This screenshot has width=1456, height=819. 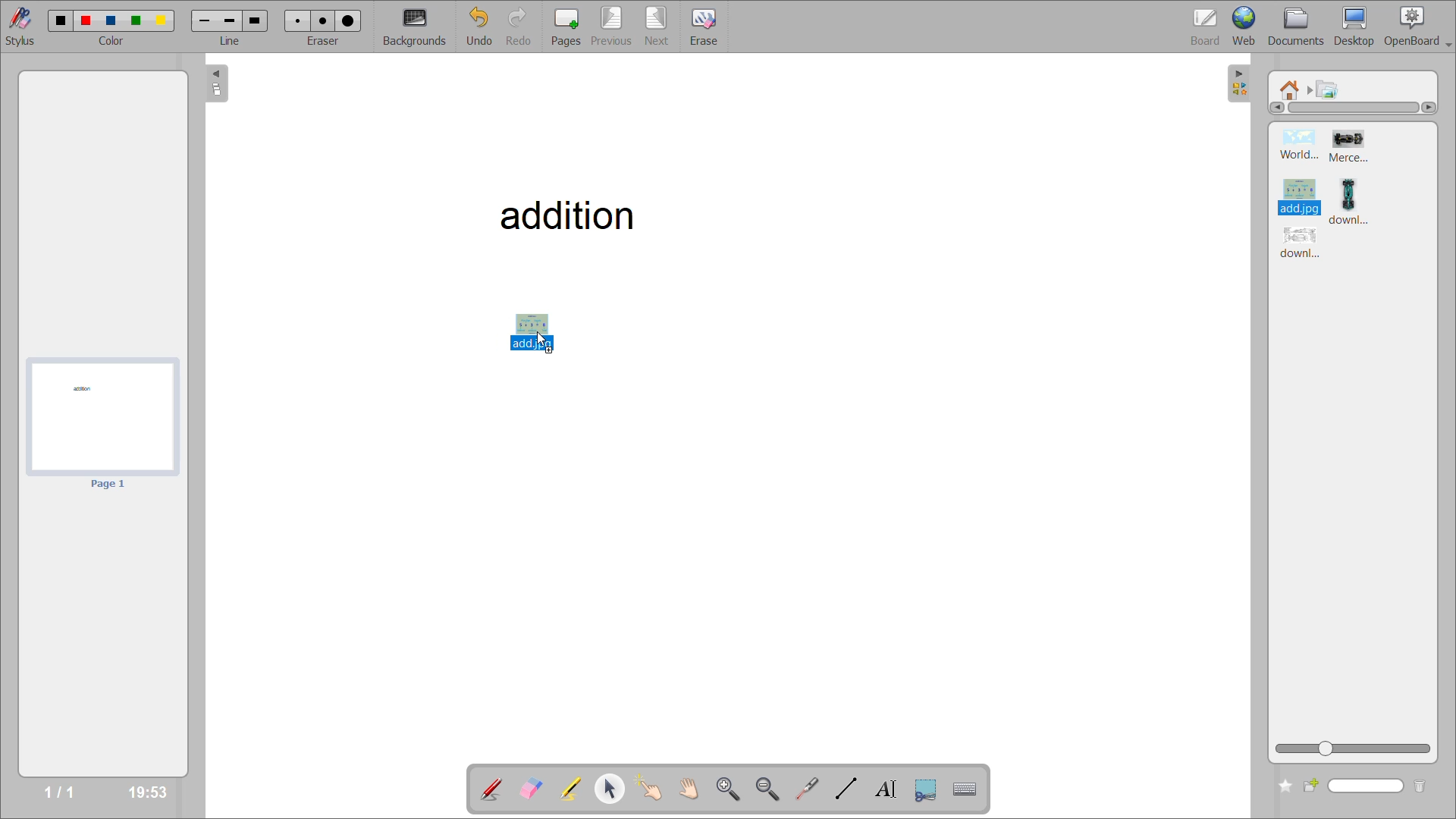 I want to click on select and modify  objects, so click(x=613, y=790).